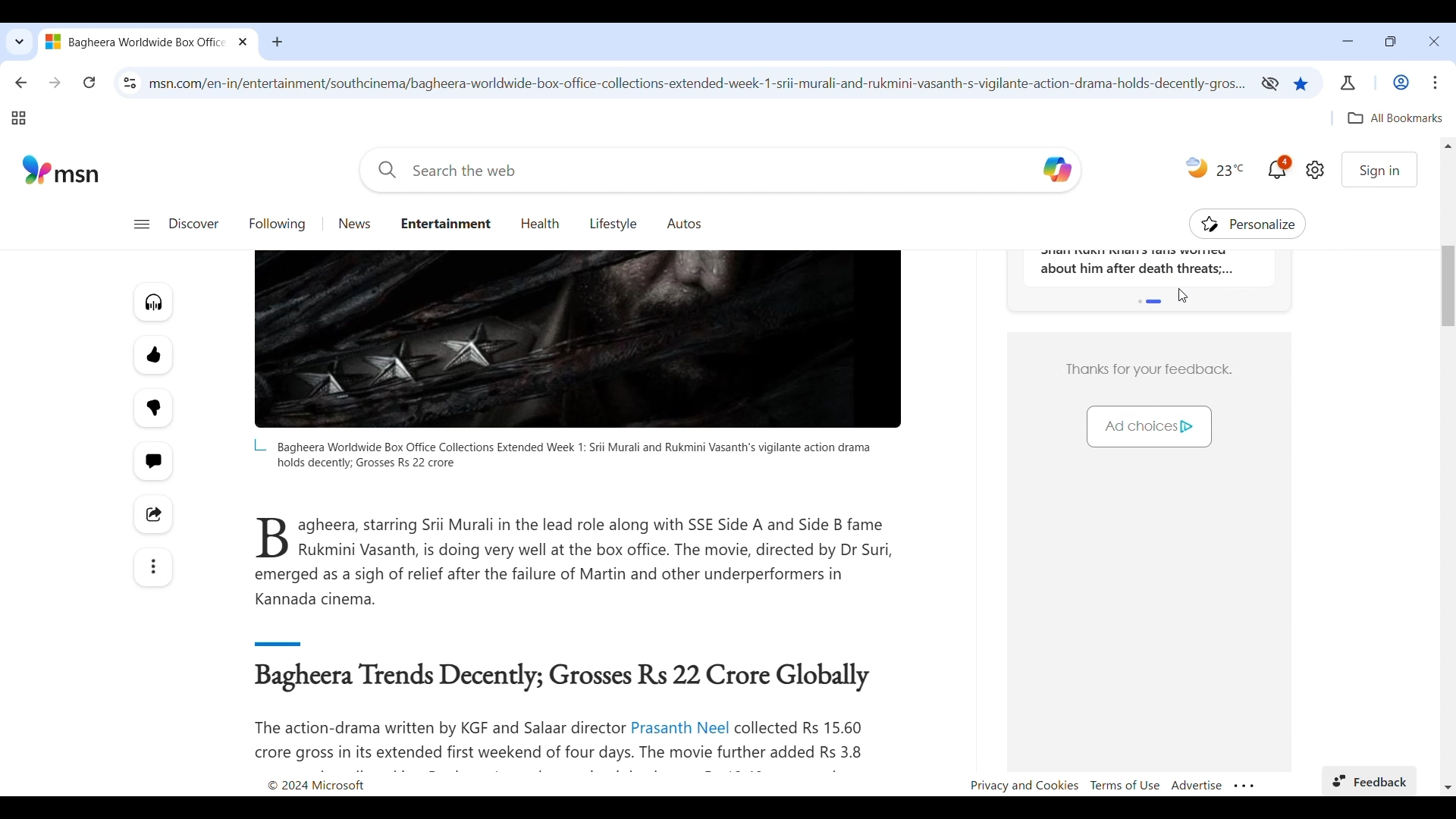 The width and height of the screenshot is (1456, 819). Describe the element at coordinates (154, 408) in the screenshot. I see `Fewer like this article` at that location.